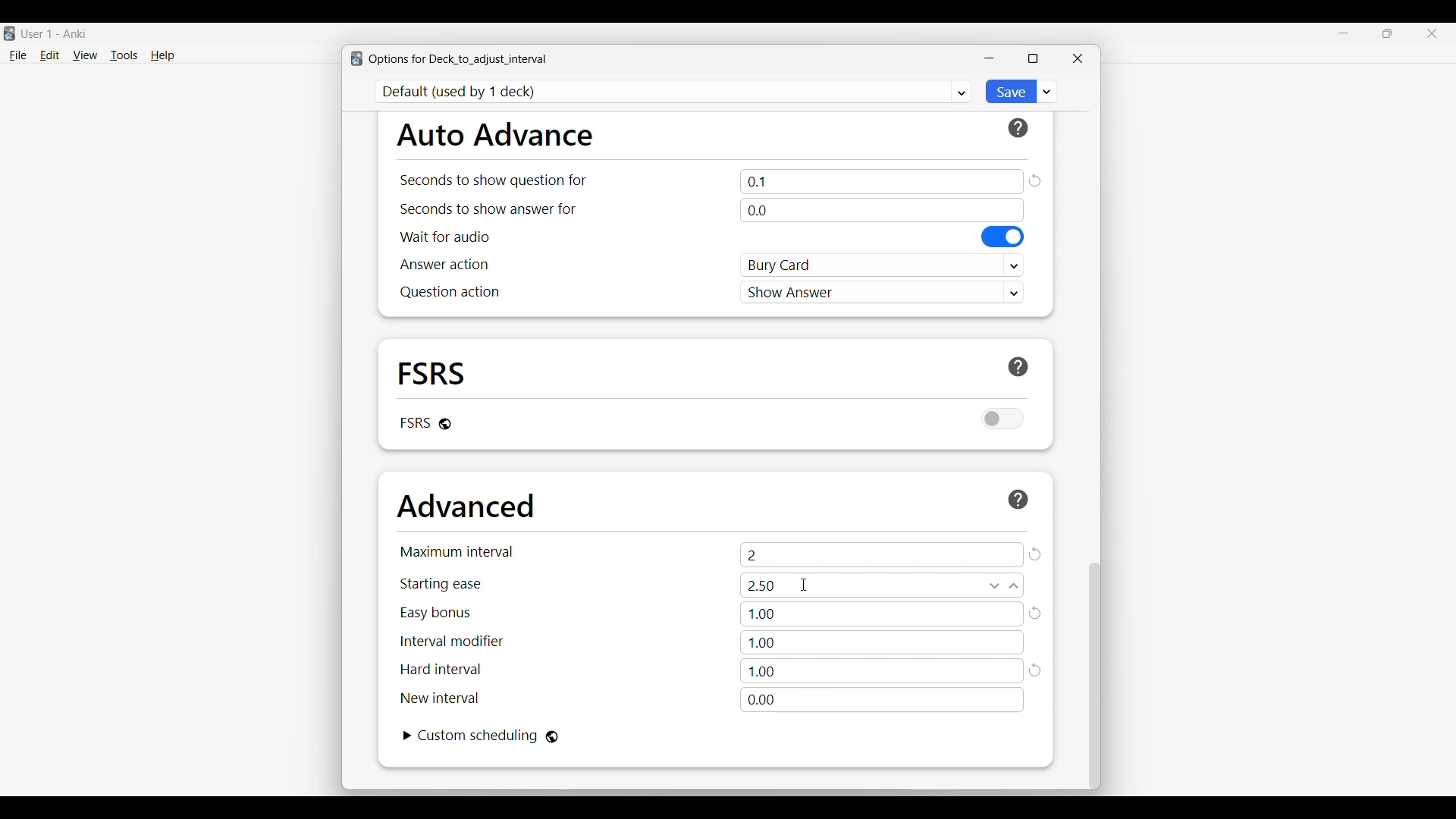  Describe the element at coordinates (1037, 672) in the screenshot. I see `reload` at that location.